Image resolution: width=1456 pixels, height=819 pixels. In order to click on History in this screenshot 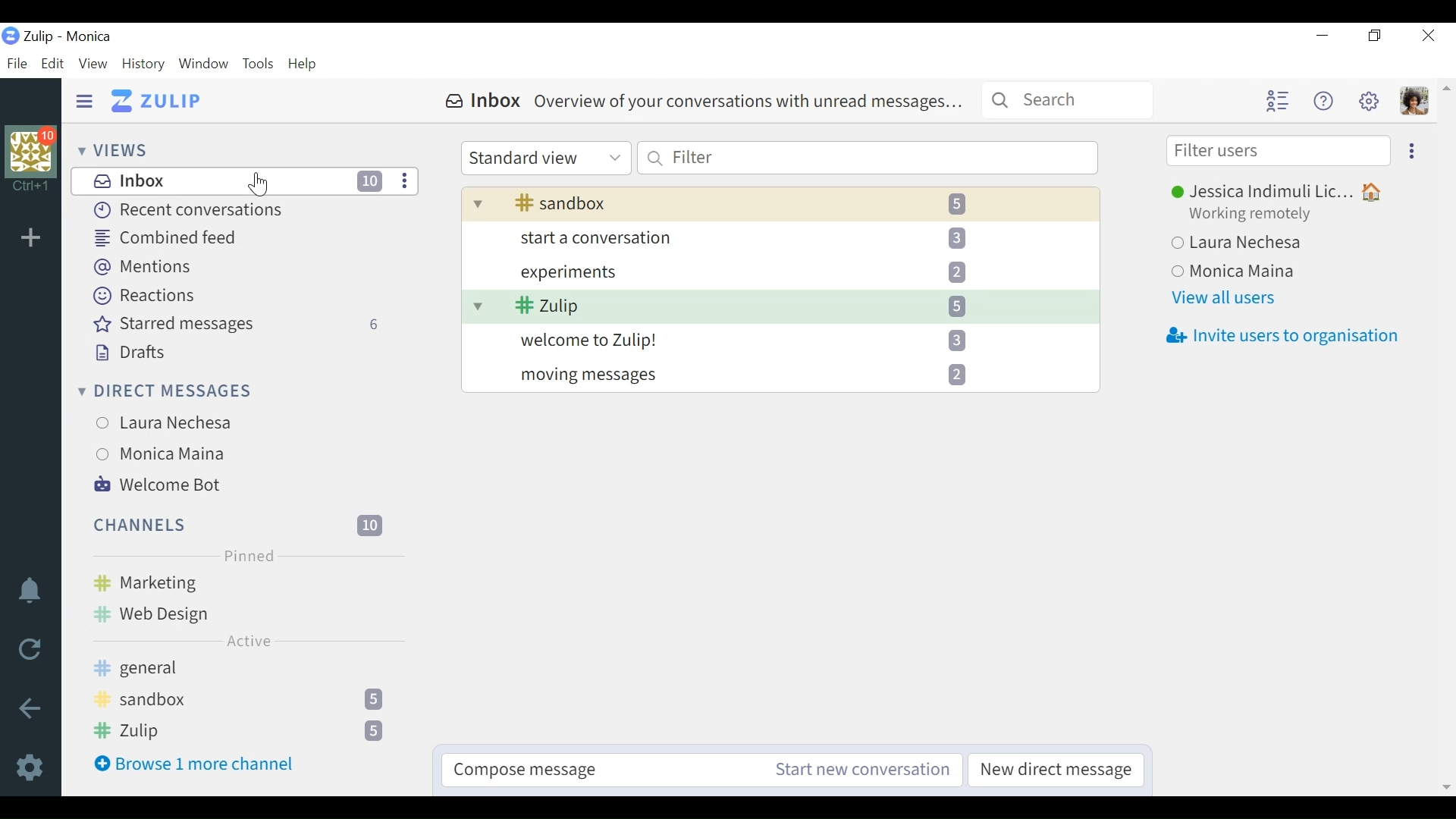, I will do `click(144, 64)`.